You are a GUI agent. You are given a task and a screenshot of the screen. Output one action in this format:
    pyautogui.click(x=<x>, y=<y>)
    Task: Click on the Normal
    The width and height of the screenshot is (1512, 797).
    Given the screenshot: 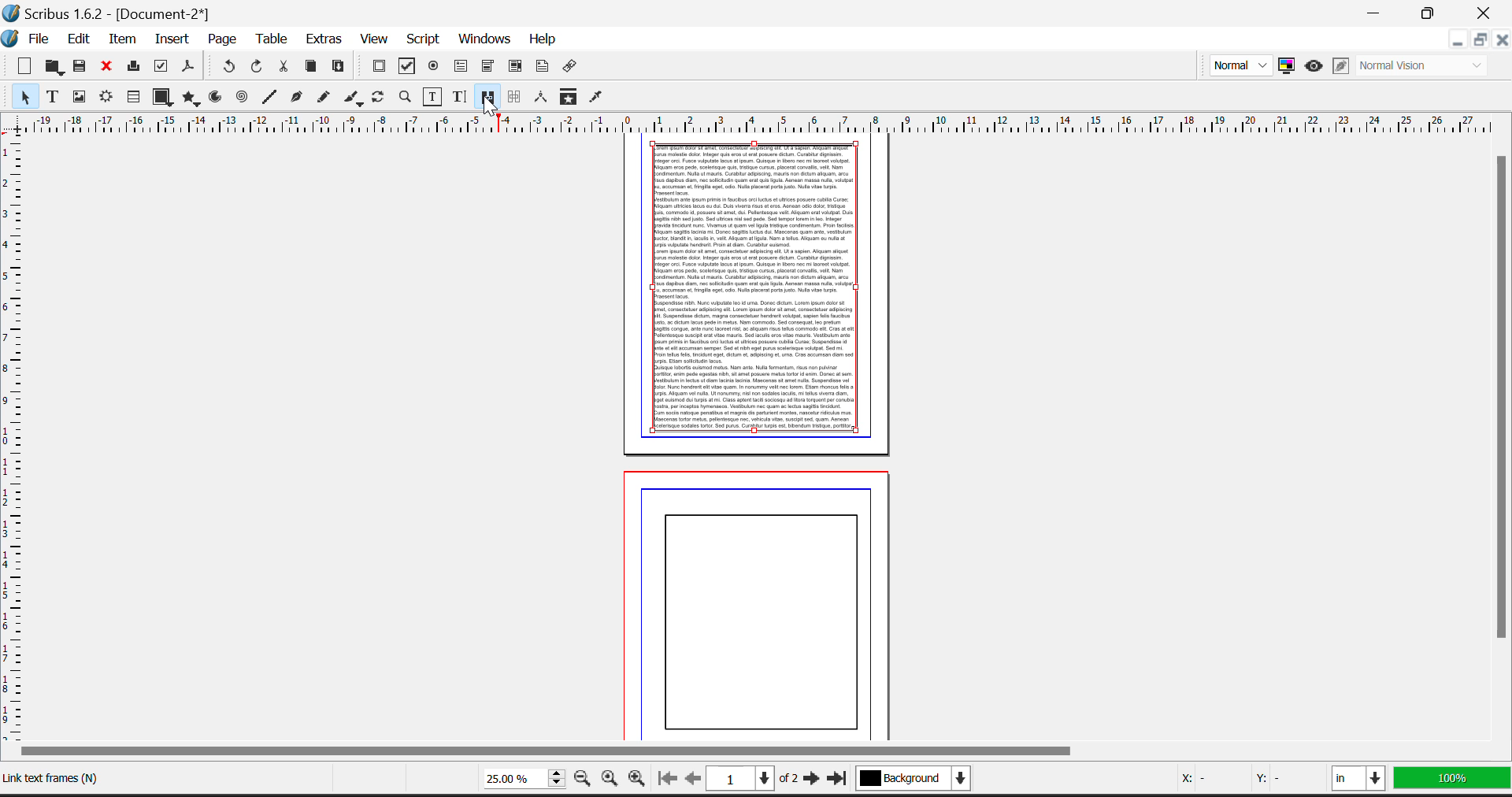 What is the action you would take?
    pyautogui.click(x=1239, y=65)
    